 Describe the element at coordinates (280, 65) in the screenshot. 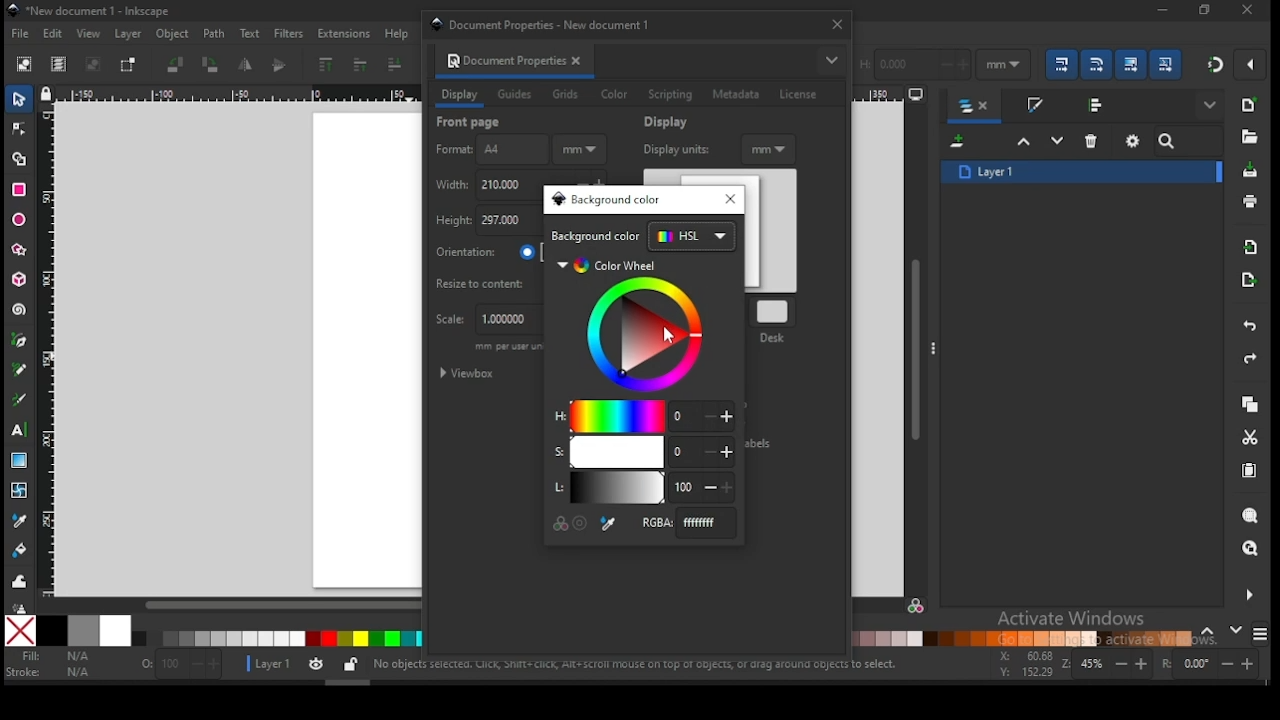

I see `object flip vertical` at that location.